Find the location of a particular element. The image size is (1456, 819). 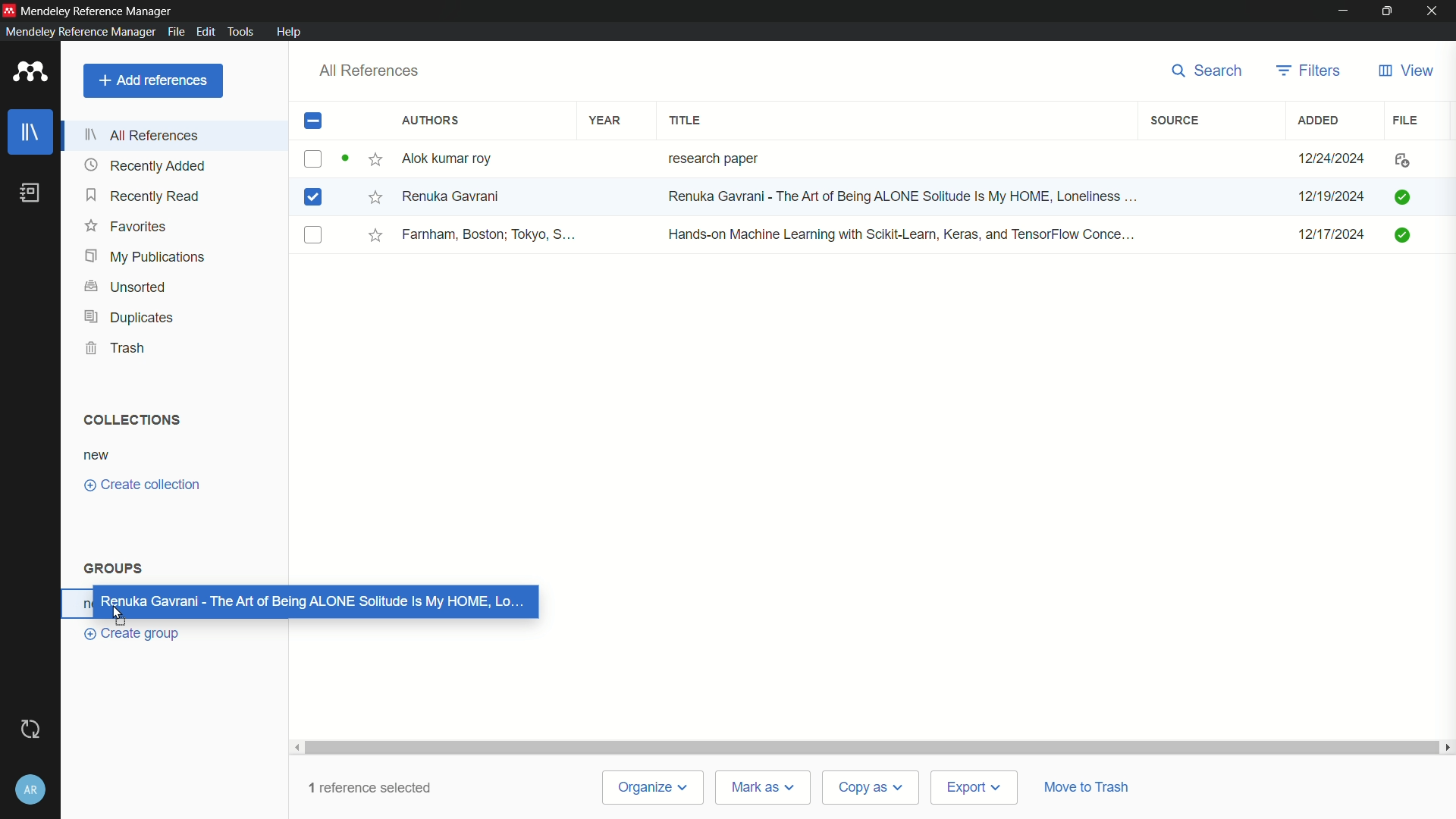

Date is located at coordinates (1334, 158).